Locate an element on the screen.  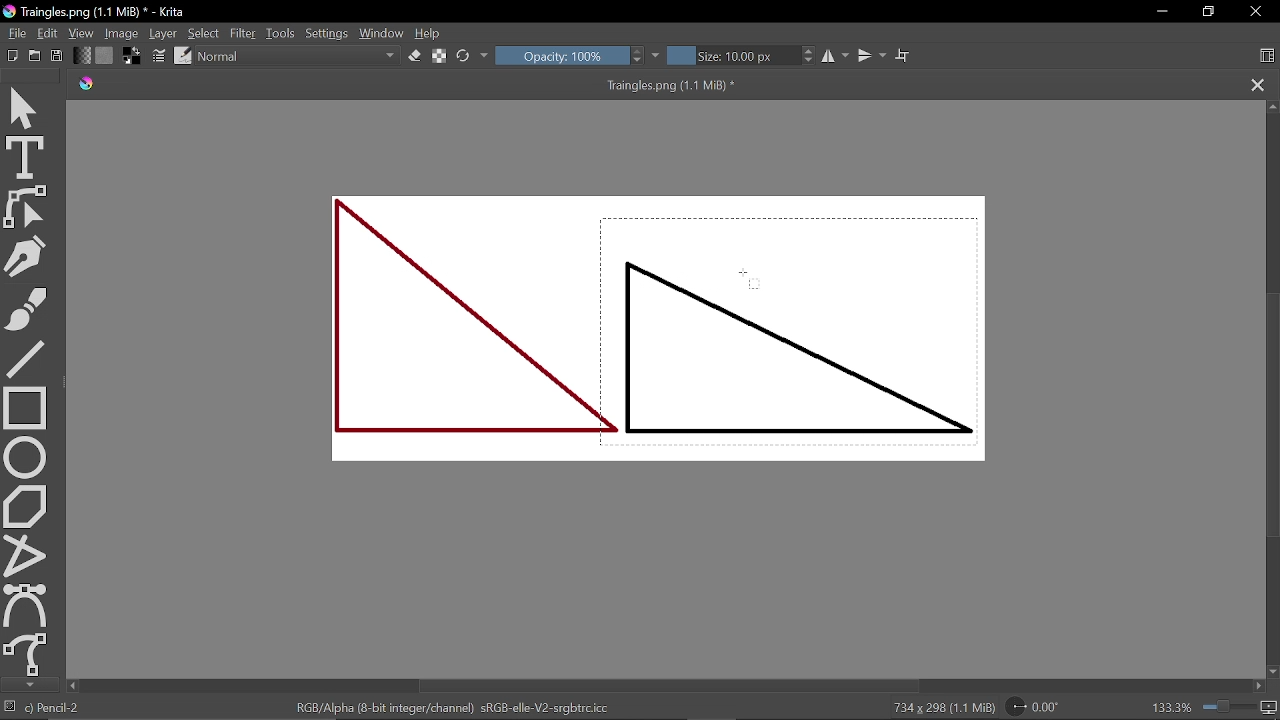
Wrap around tool is located at coordinates (902, 56).